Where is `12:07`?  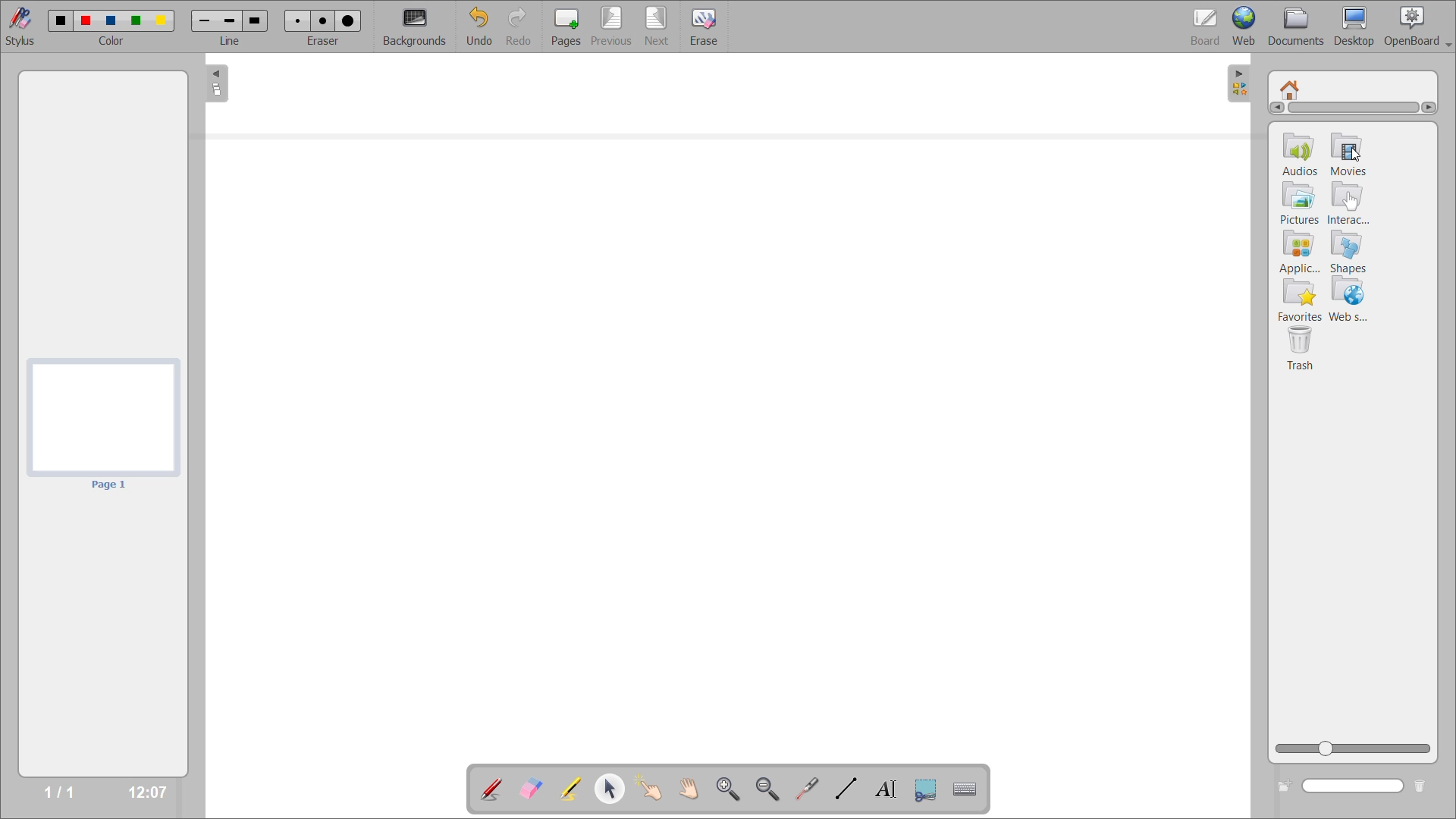 12:07 is located at coordinates (142, 790).